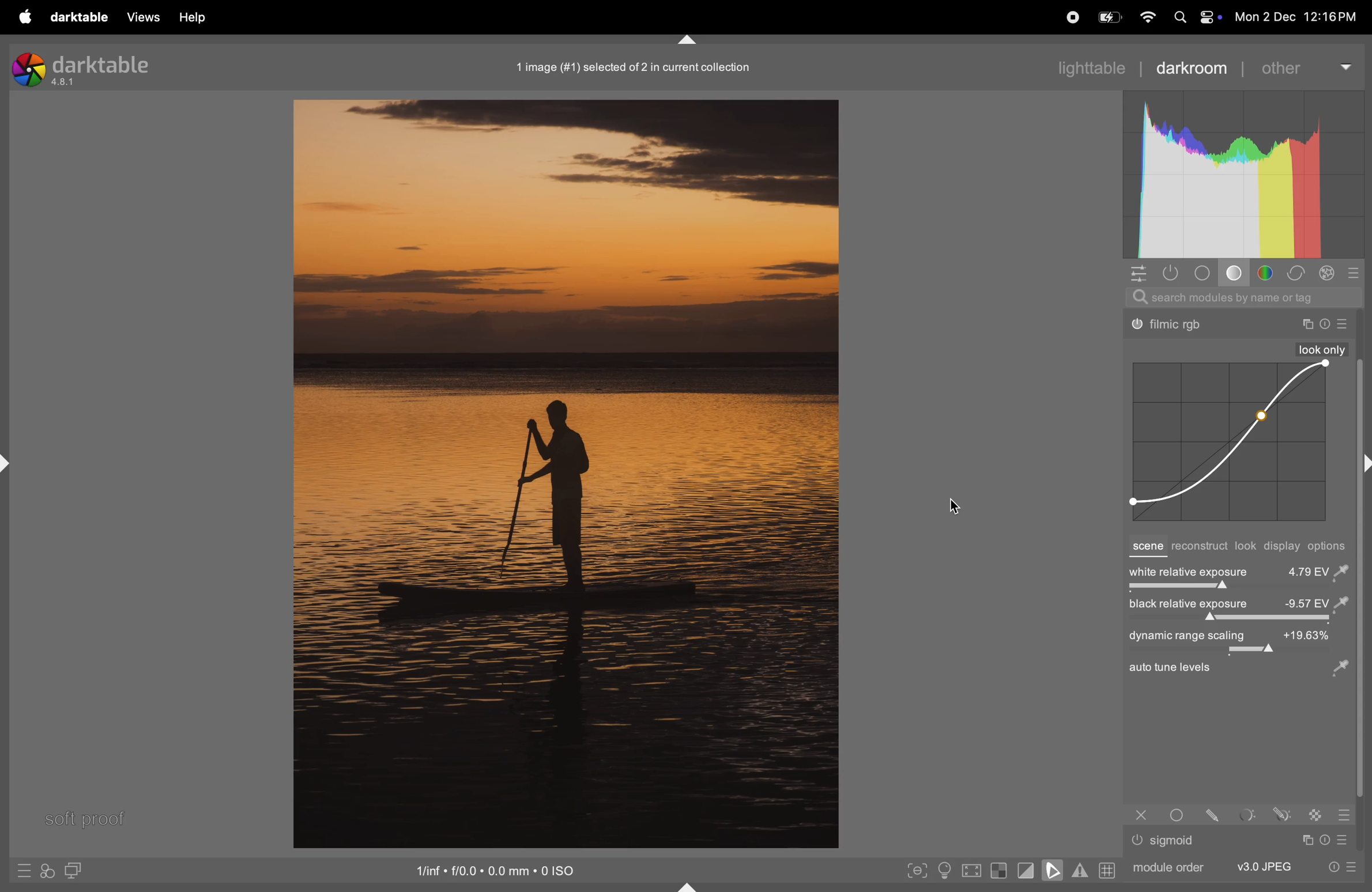  Describe the element at coordinates (1243, 175) in the screenshot. I see `histogram` at that location.